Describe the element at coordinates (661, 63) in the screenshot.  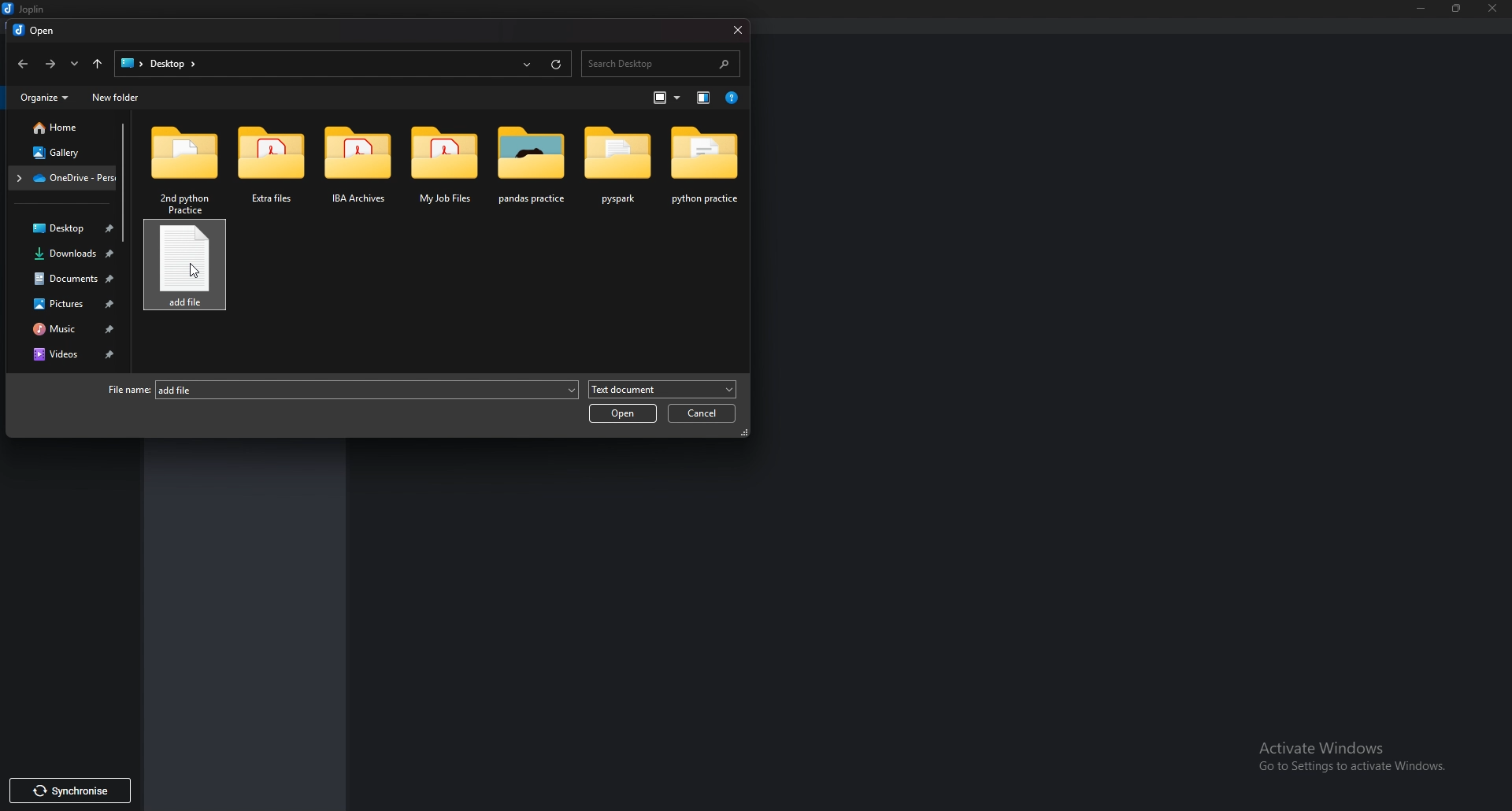
I see `Search desktop` at that location.